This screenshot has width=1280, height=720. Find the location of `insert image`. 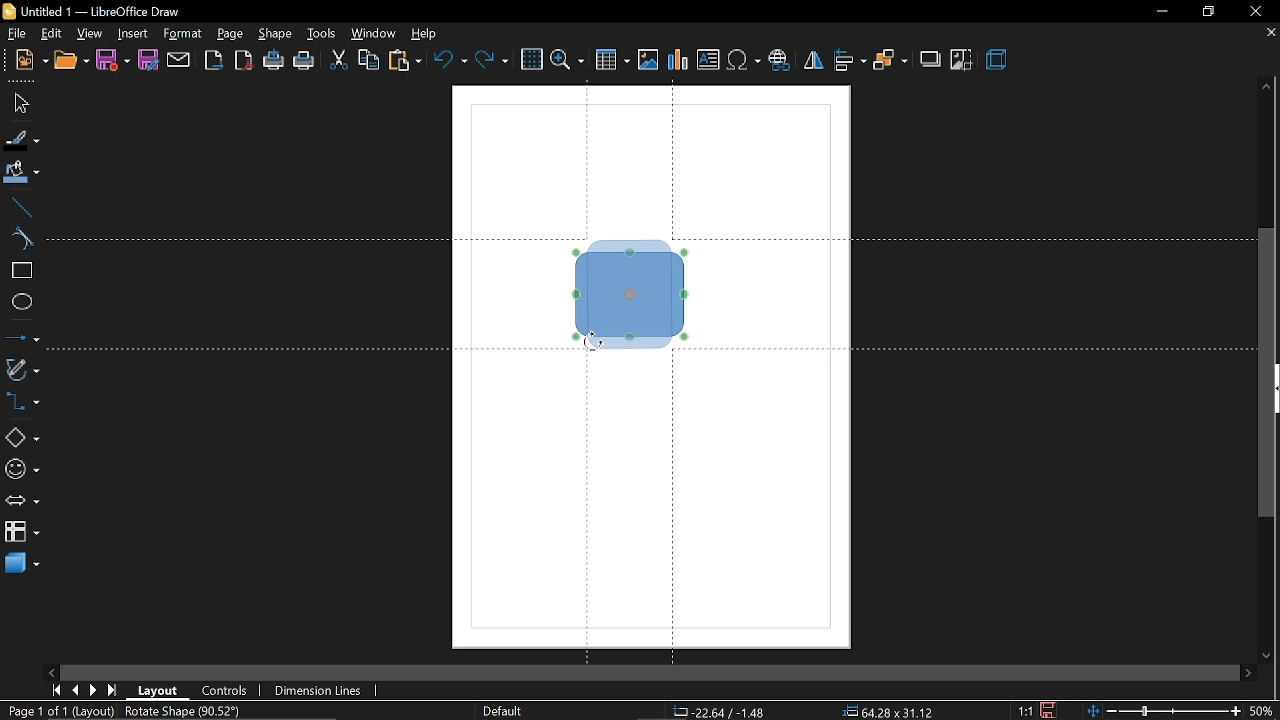

insert image is located at coordinates (646, 61).